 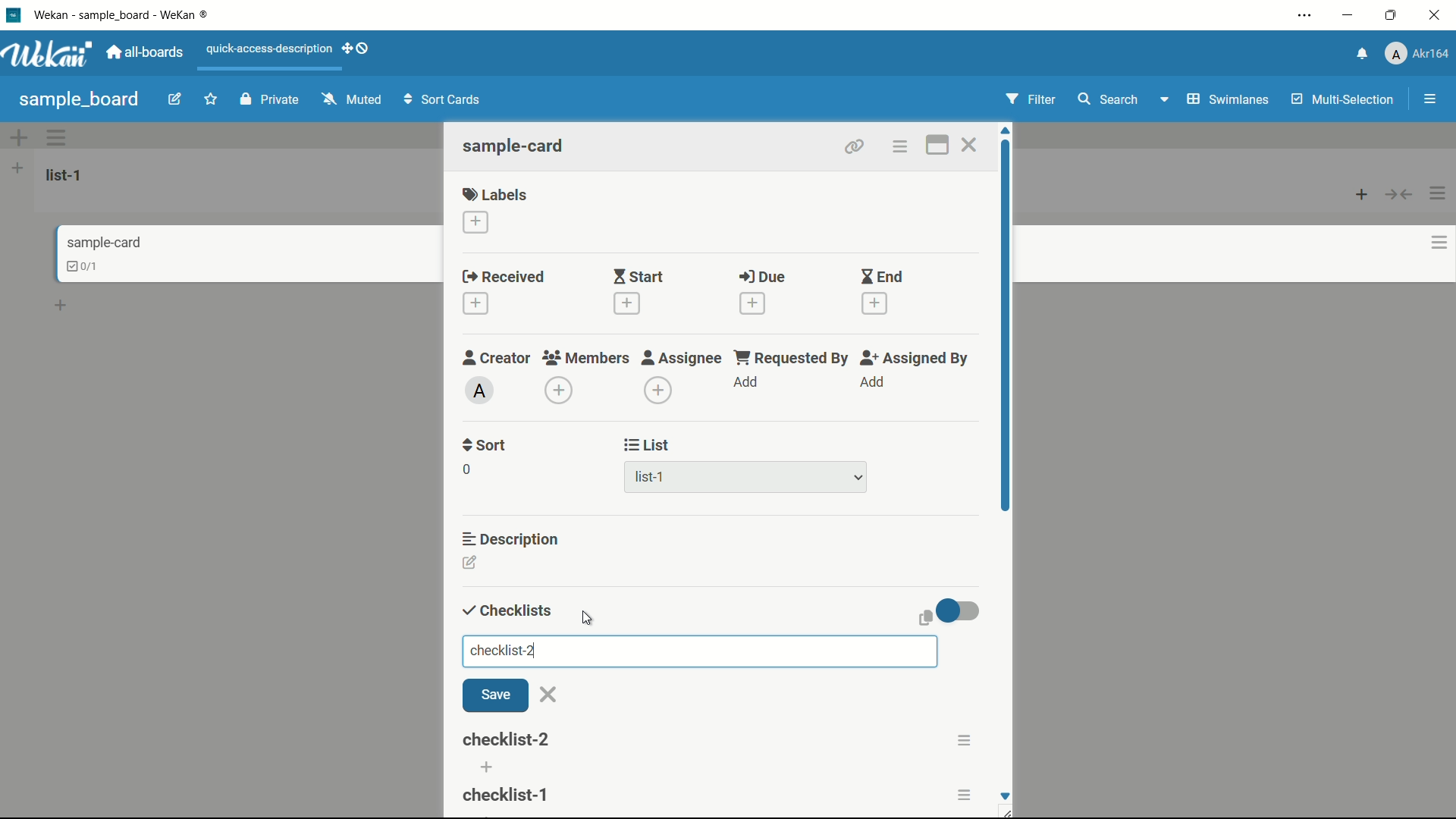 What do you see at coordinates (79, 99) in the screenshot?
I see `board name` at bounding box center [79, 99].